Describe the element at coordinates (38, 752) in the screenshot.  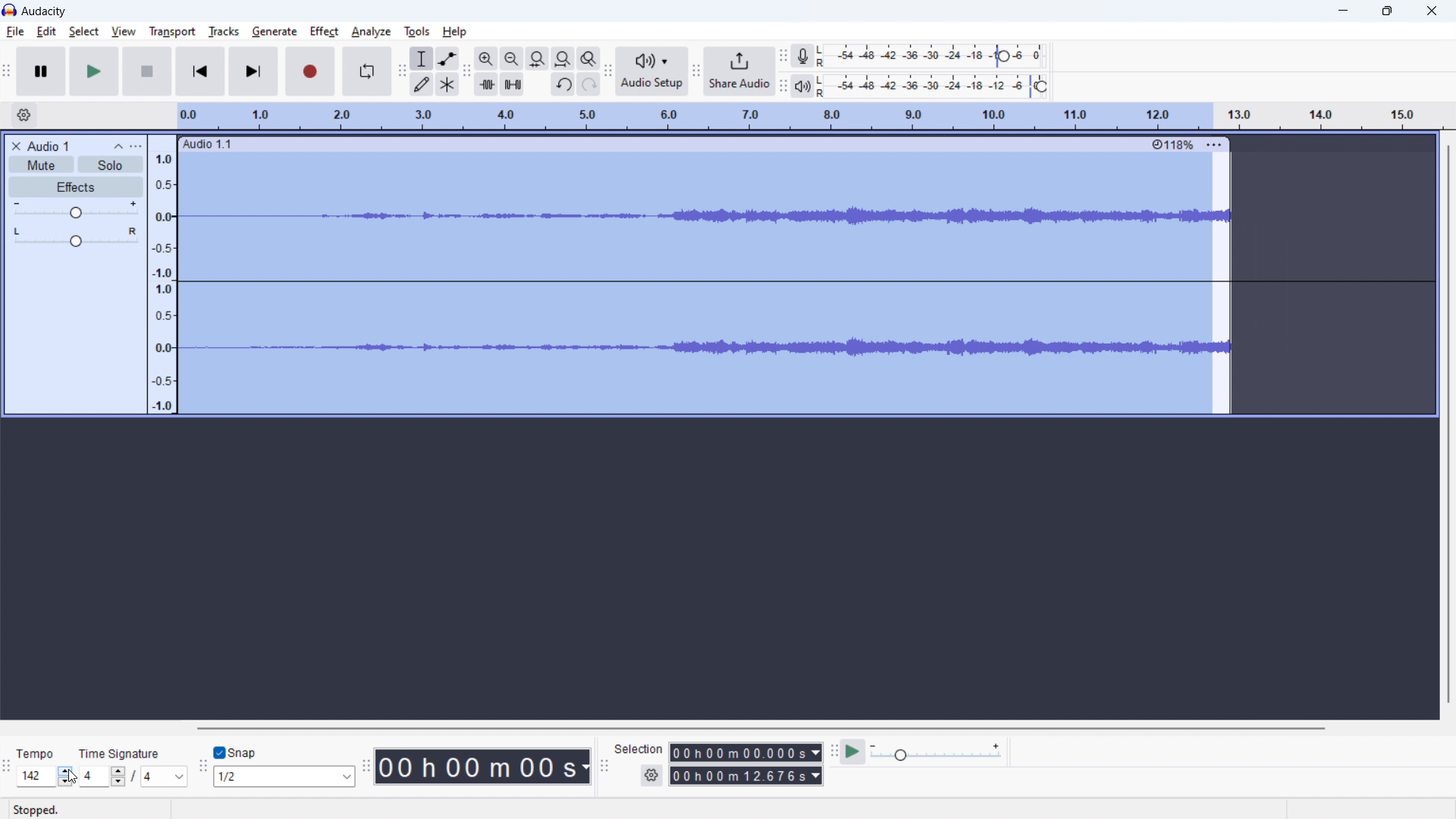
I see `Tempo` at that location.